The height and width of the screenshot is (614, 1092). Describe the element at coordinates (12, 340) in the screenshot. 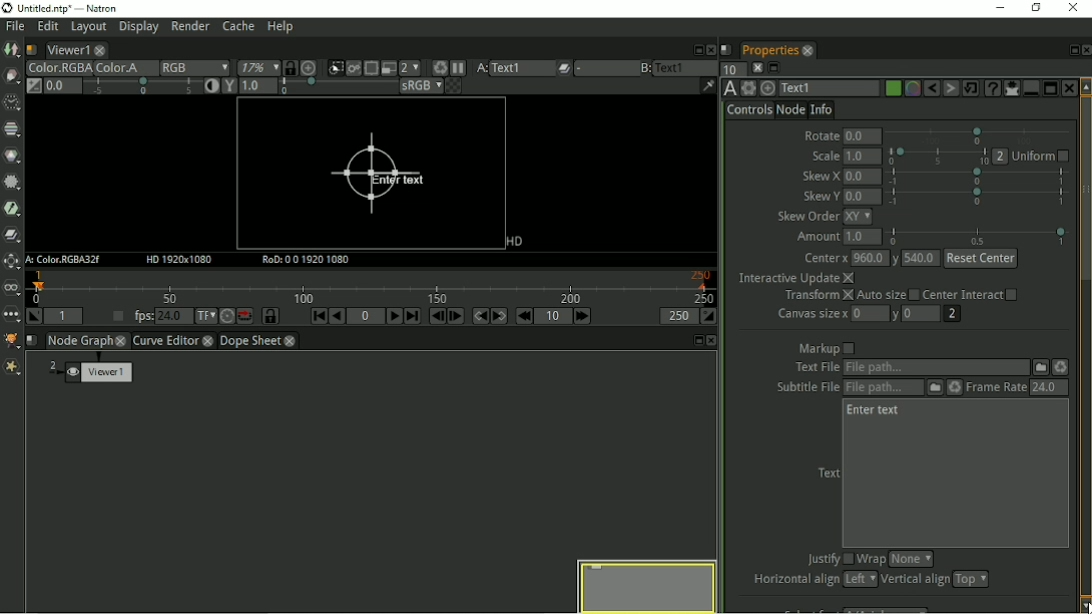

I see `GMIC` at that location.